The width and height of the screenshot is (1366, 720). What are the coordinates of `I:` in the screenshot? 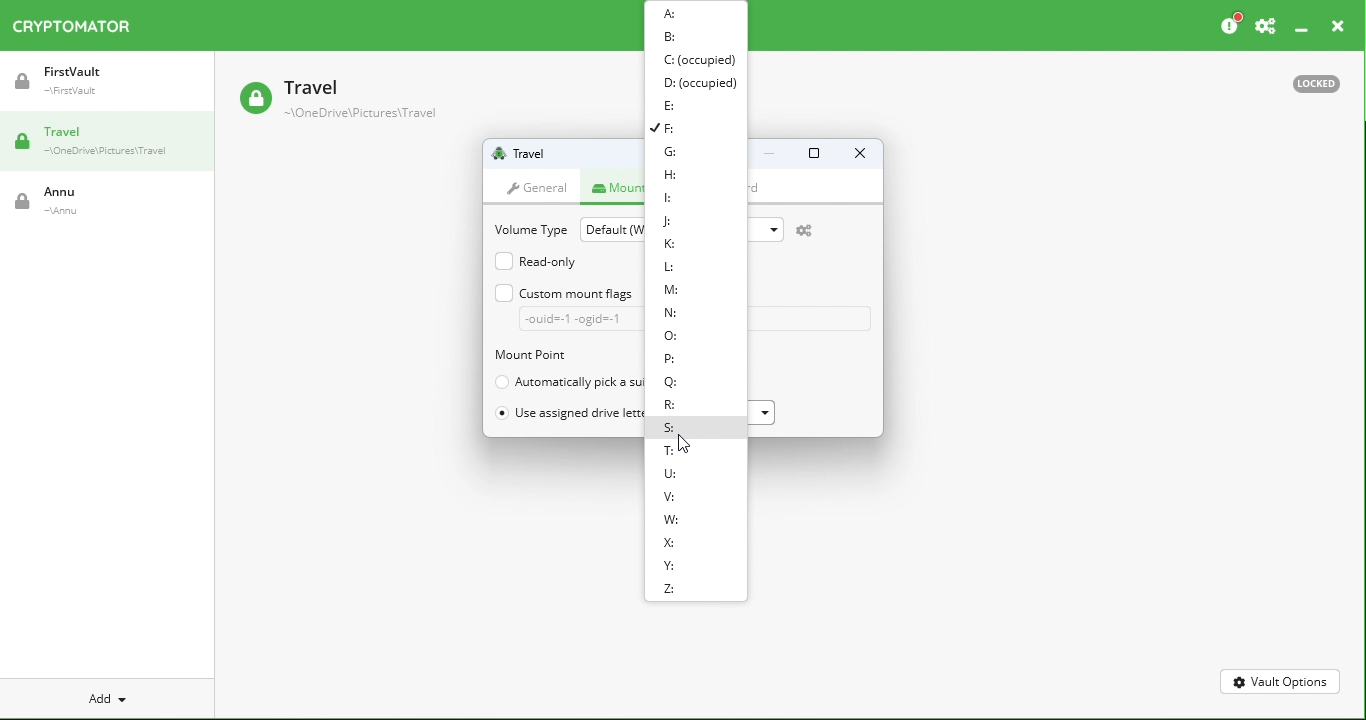 It's located at (673, 198).